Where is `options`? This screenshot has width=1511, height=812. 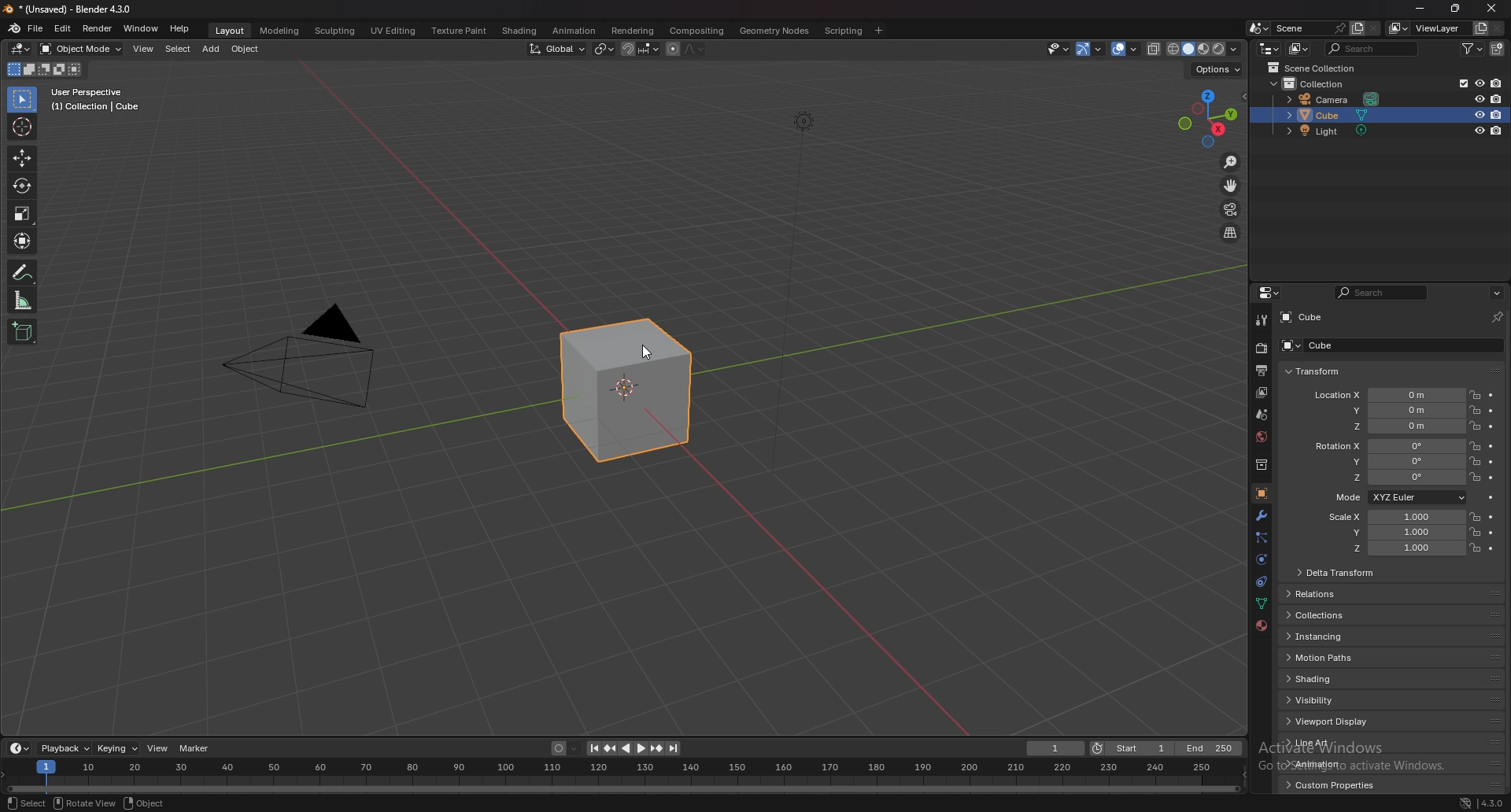
options is located at coordinates (1497, 293).